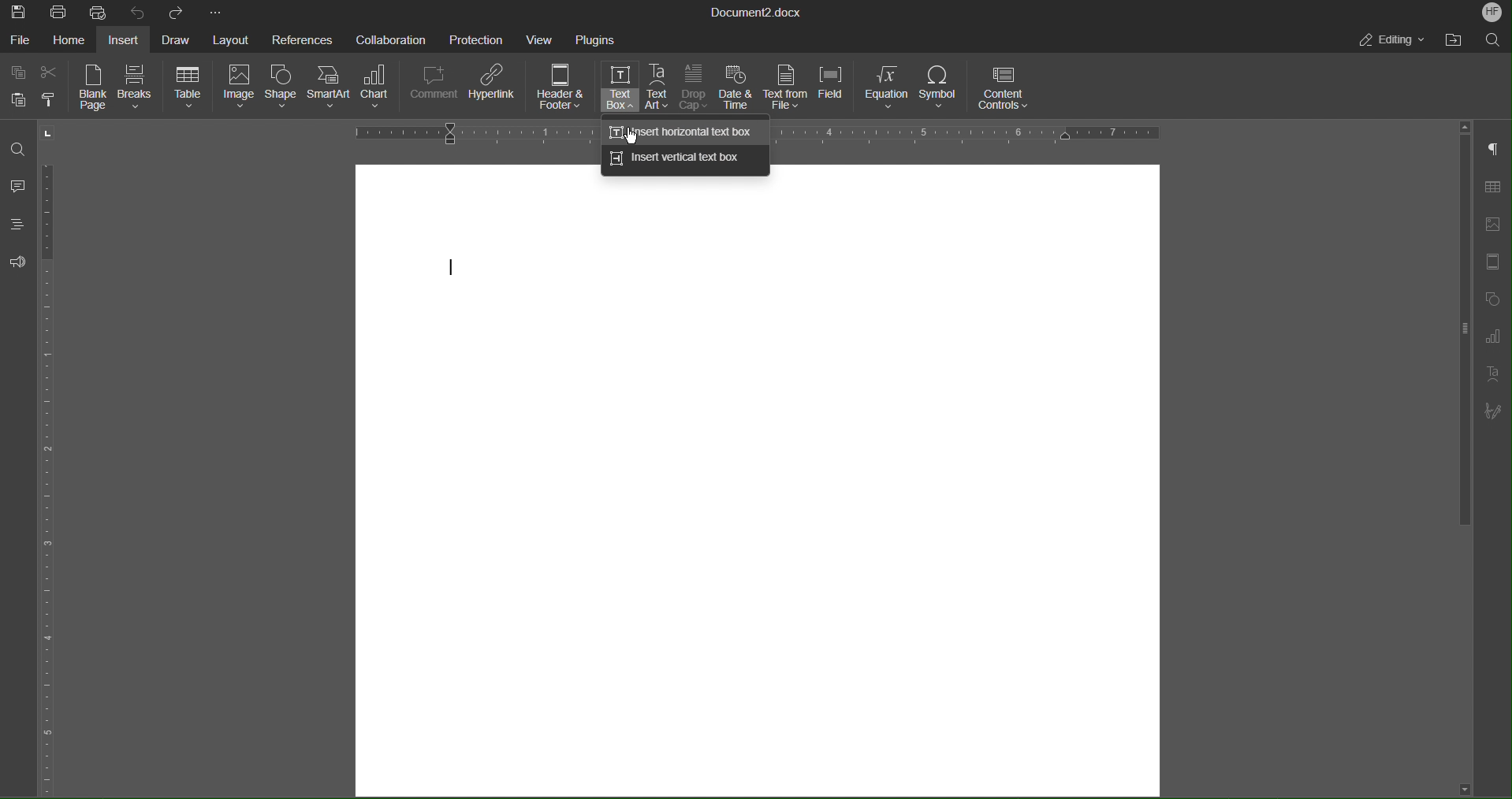  Describe the element at coordinates (17, 262) in the screenshot. I see `Feedback and Support` at that location.